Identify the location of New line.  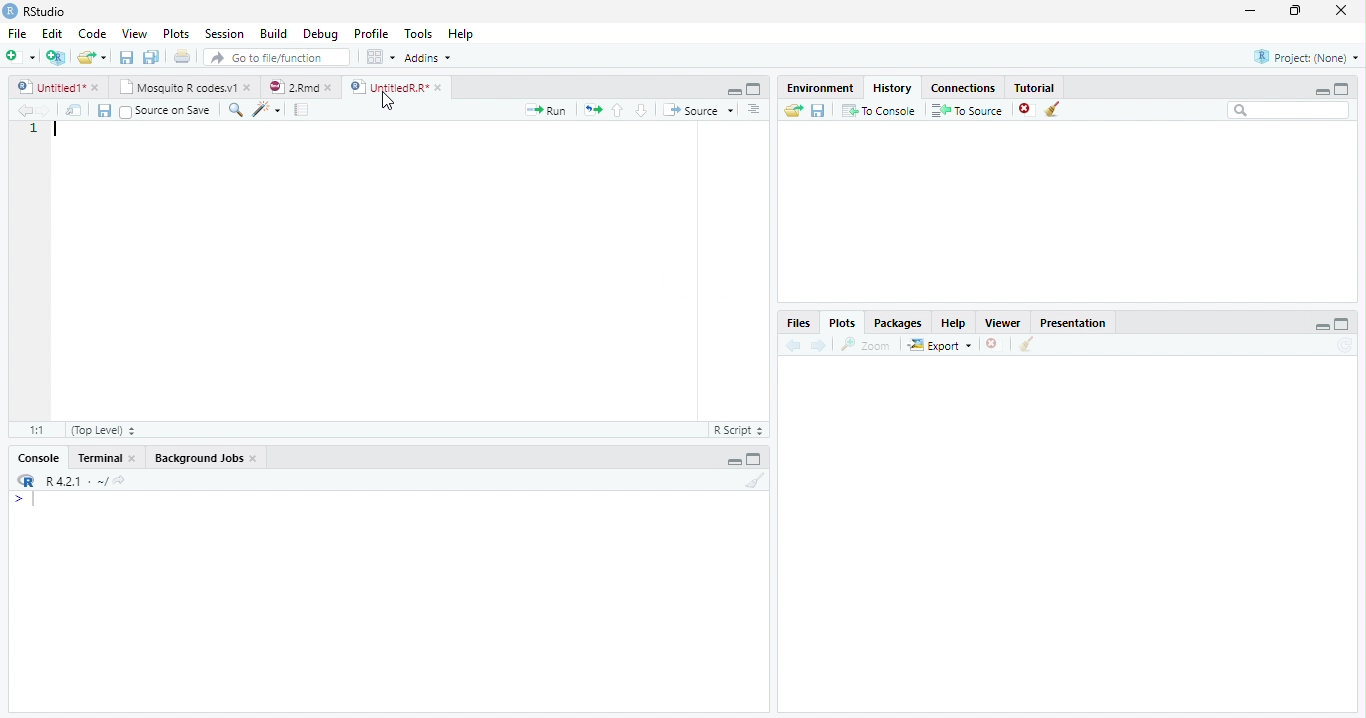
(24, 499).